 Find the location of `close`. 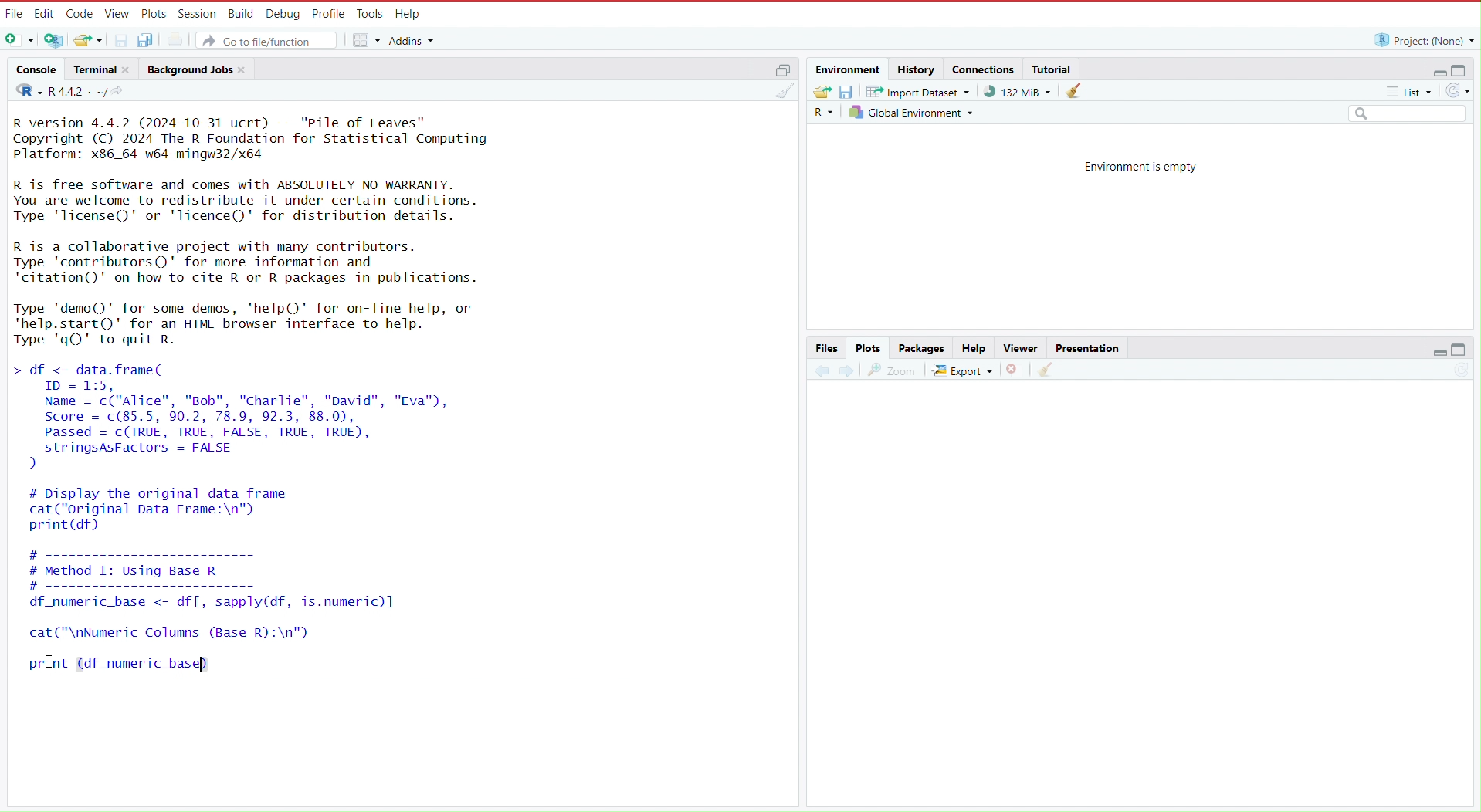

close is located at coordinates (129, 69).